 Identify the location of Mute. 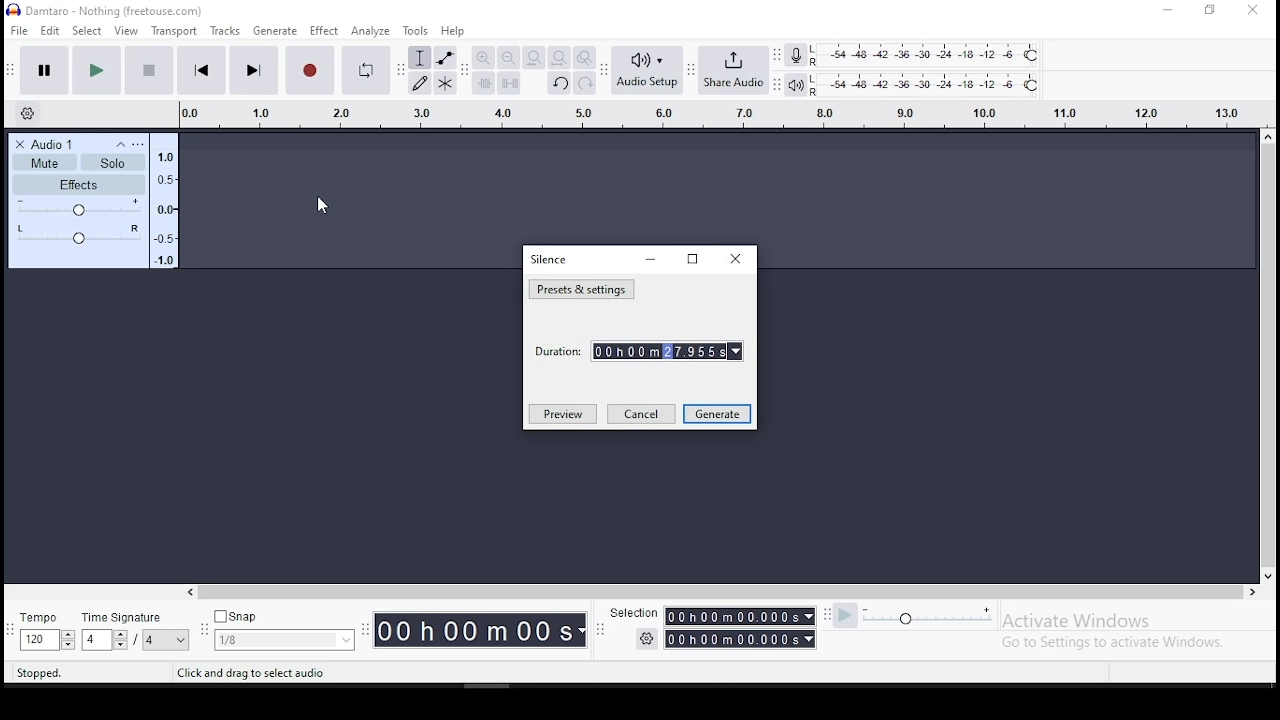
(45, 164).